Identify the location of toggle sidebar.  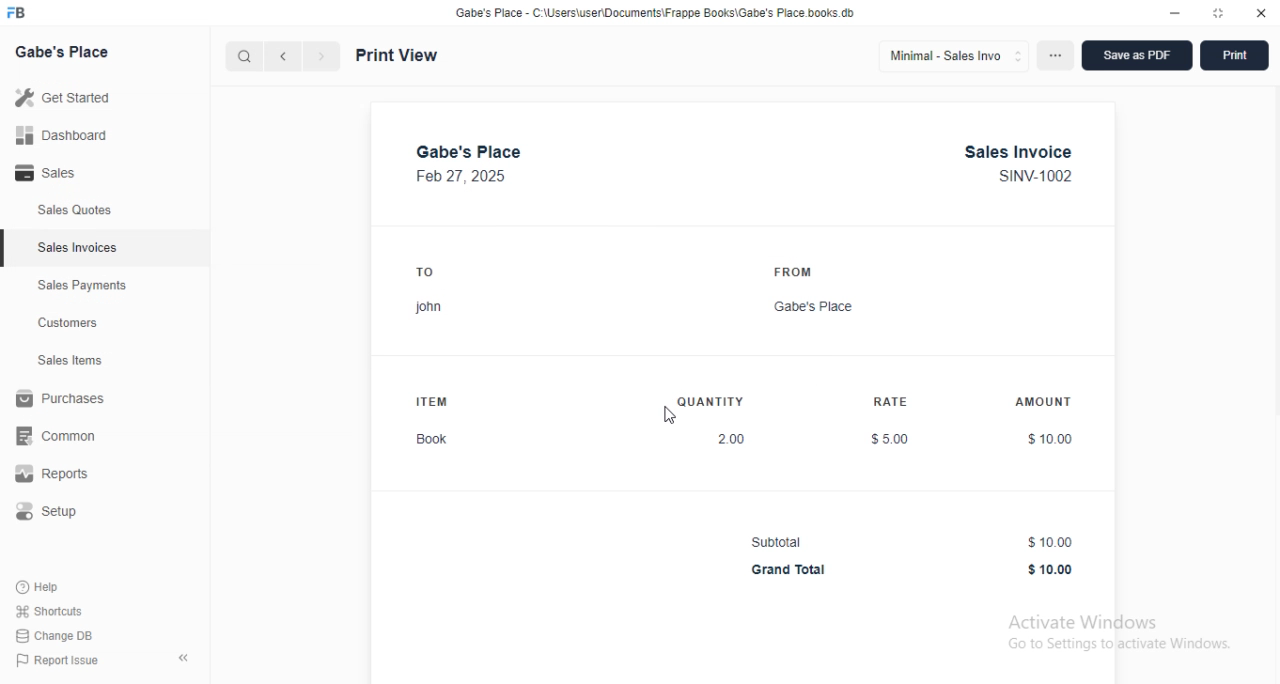
(185, 657).